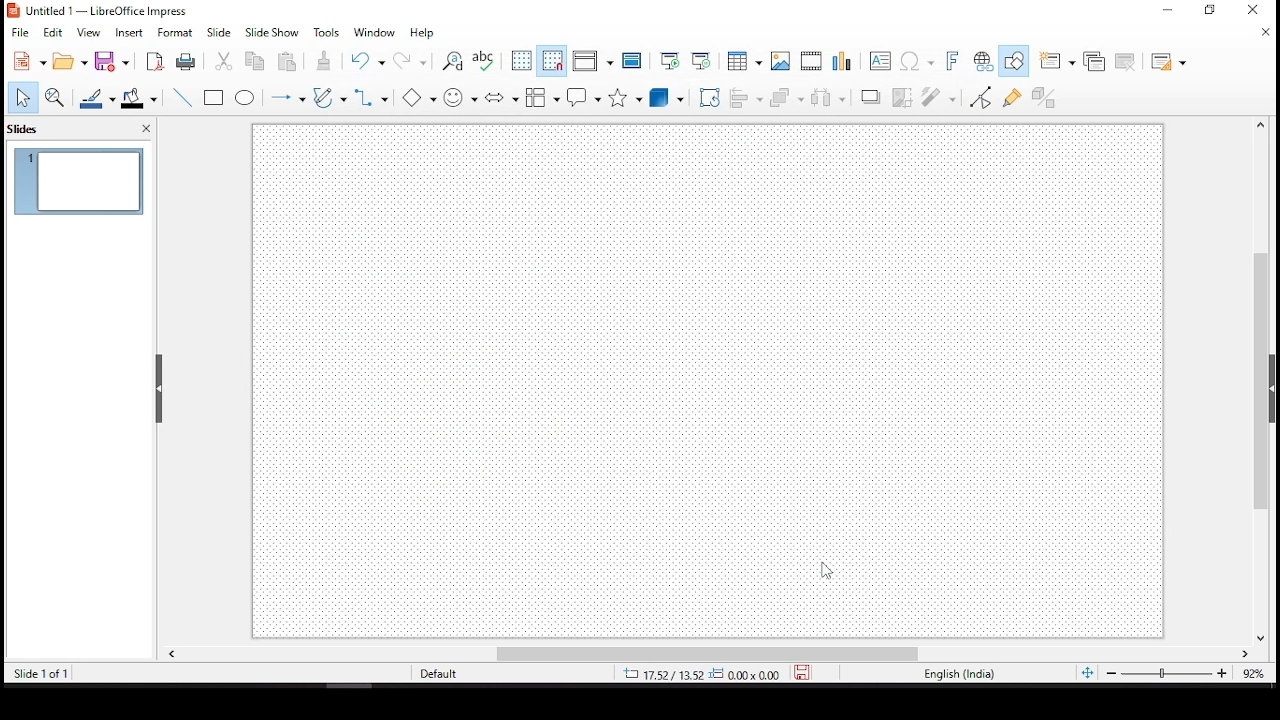  What do you see at coordinates (958, 673) in the screenshot?
I see `english (india)` at bounding box center [958, 673].